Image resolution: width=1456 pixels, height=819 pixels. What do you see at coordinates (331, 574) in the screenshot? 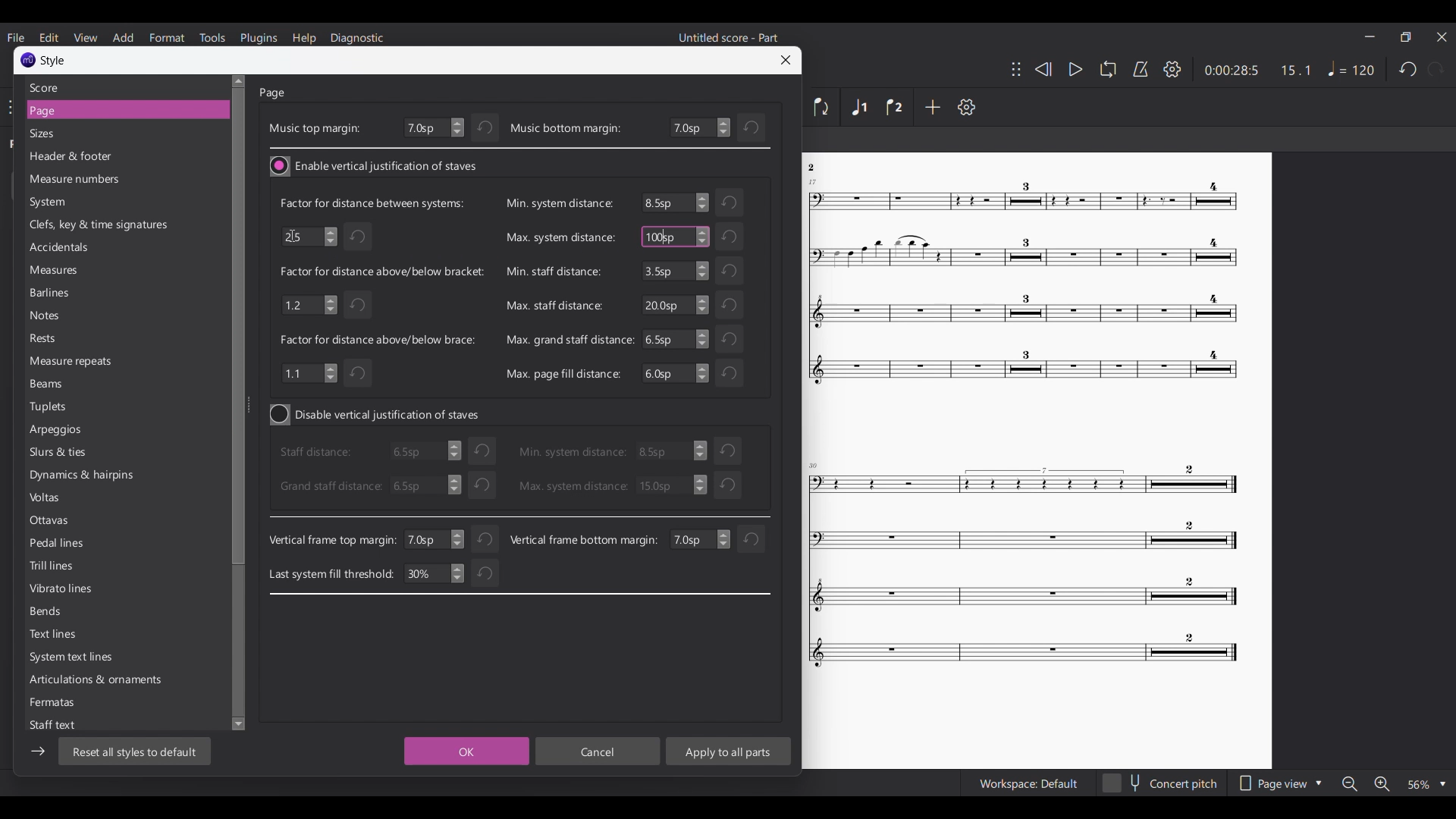
I see `Last system fill threshold` at bounding box center [331, 574].